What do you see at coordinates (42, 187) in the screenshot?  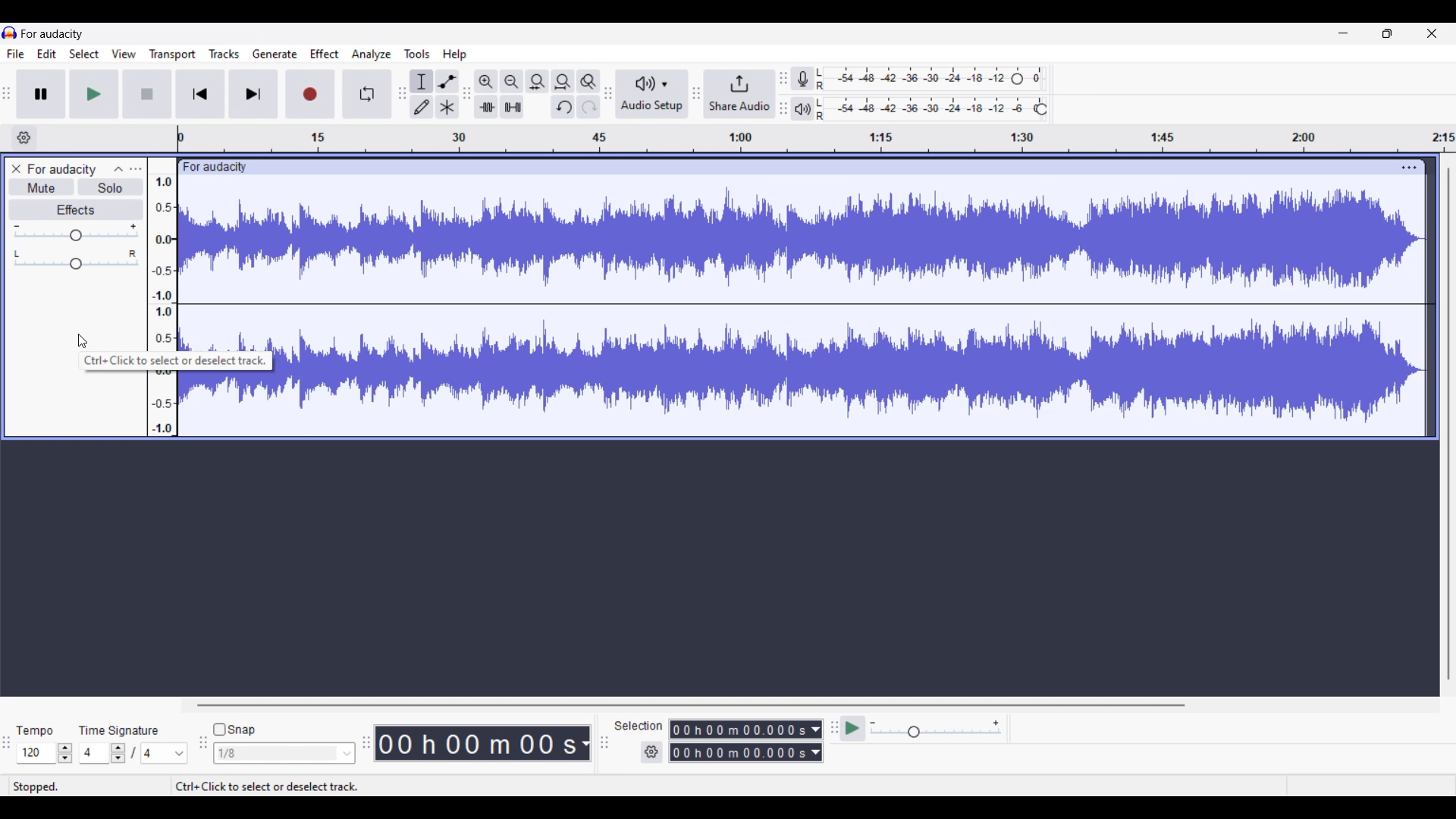 I see `Mute` at bounding box center [42, 187].